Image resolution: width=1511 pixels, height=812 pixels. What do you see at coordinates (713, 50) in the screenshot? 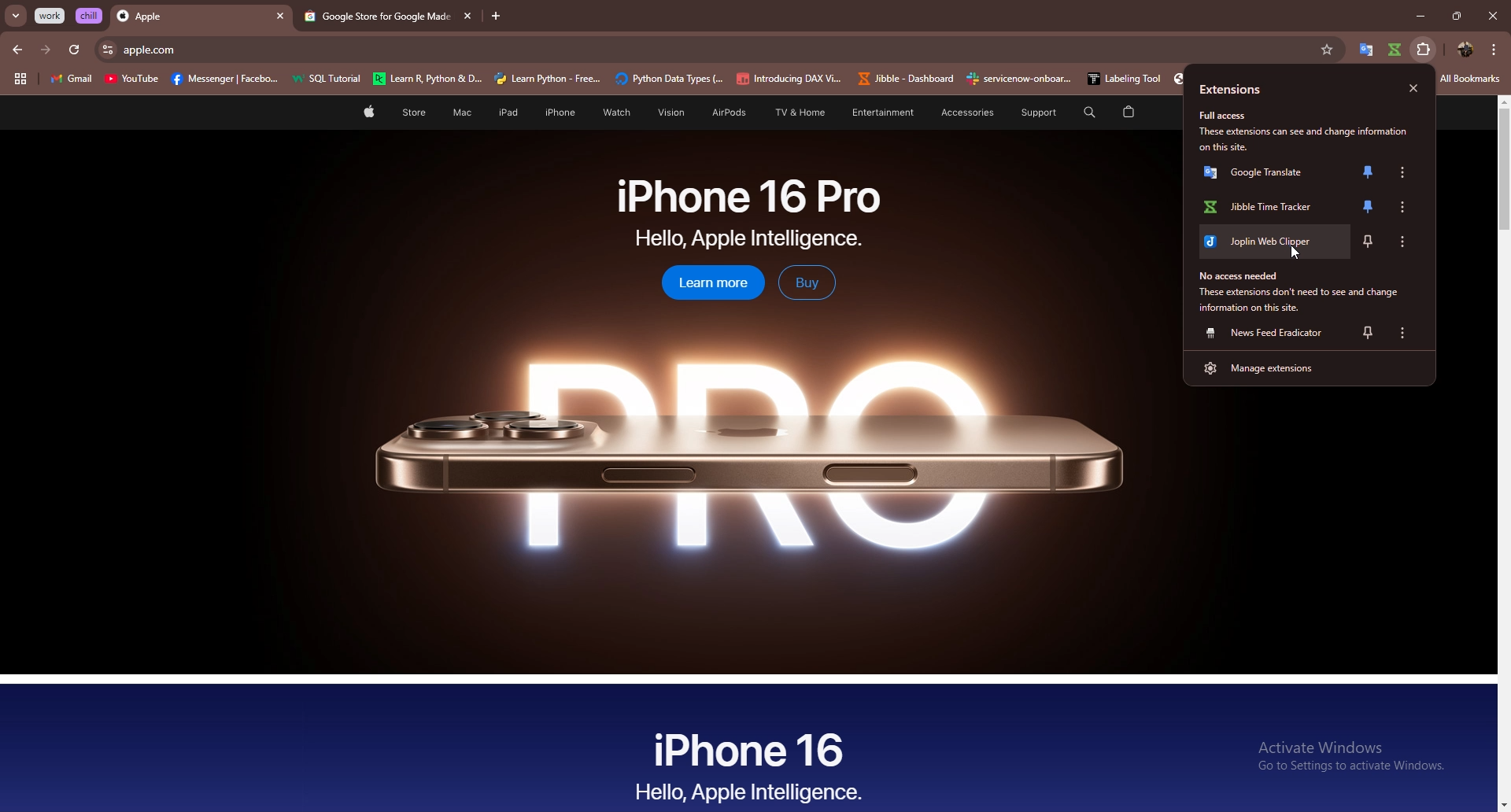
I see `apple.com` at bounding box center [713, 50].